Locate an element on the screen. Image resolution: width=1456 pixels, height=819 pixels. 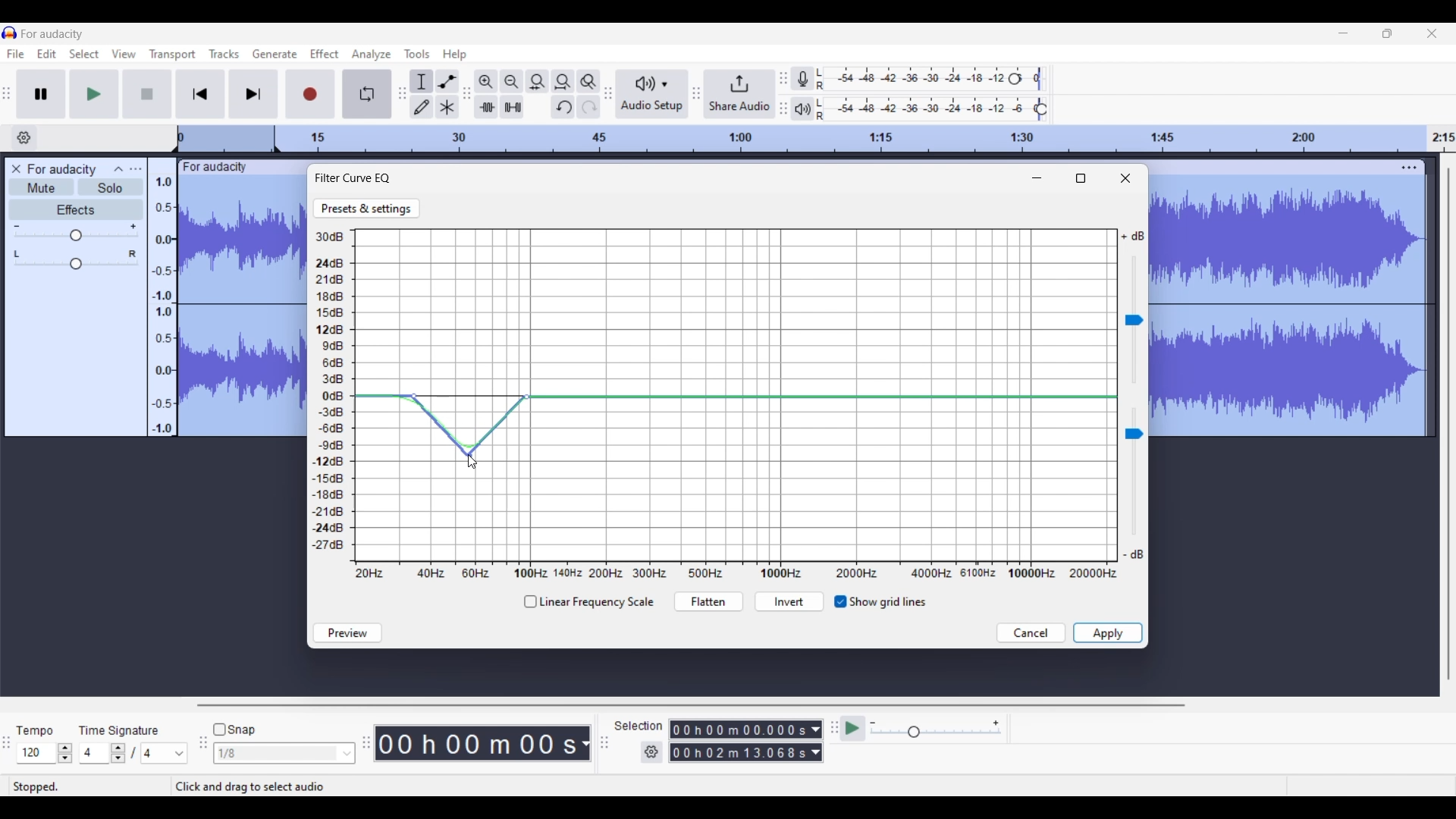
Record meter is located at coordinates (803, 78).